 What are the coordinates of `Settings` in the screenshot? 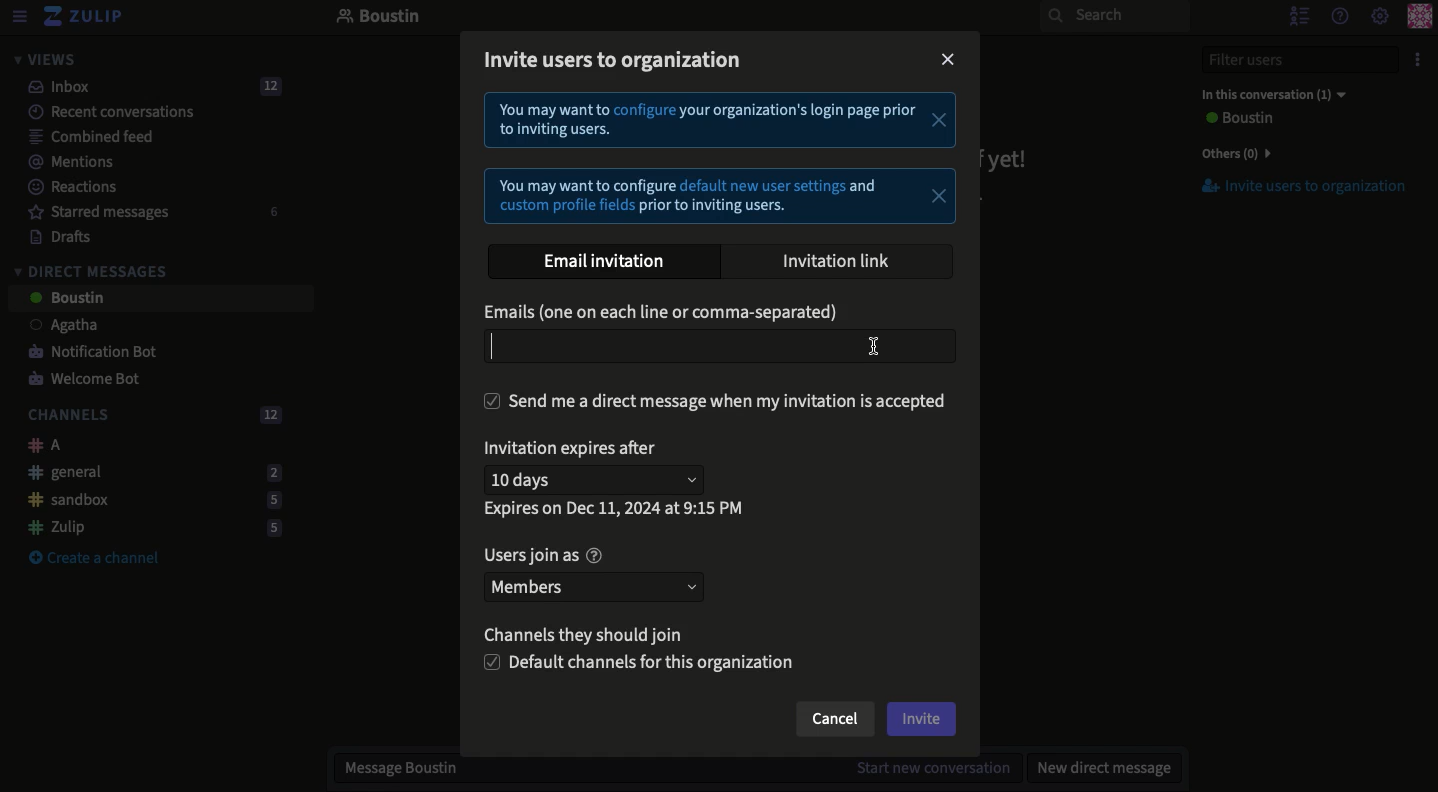 It's located at (1380, 17).